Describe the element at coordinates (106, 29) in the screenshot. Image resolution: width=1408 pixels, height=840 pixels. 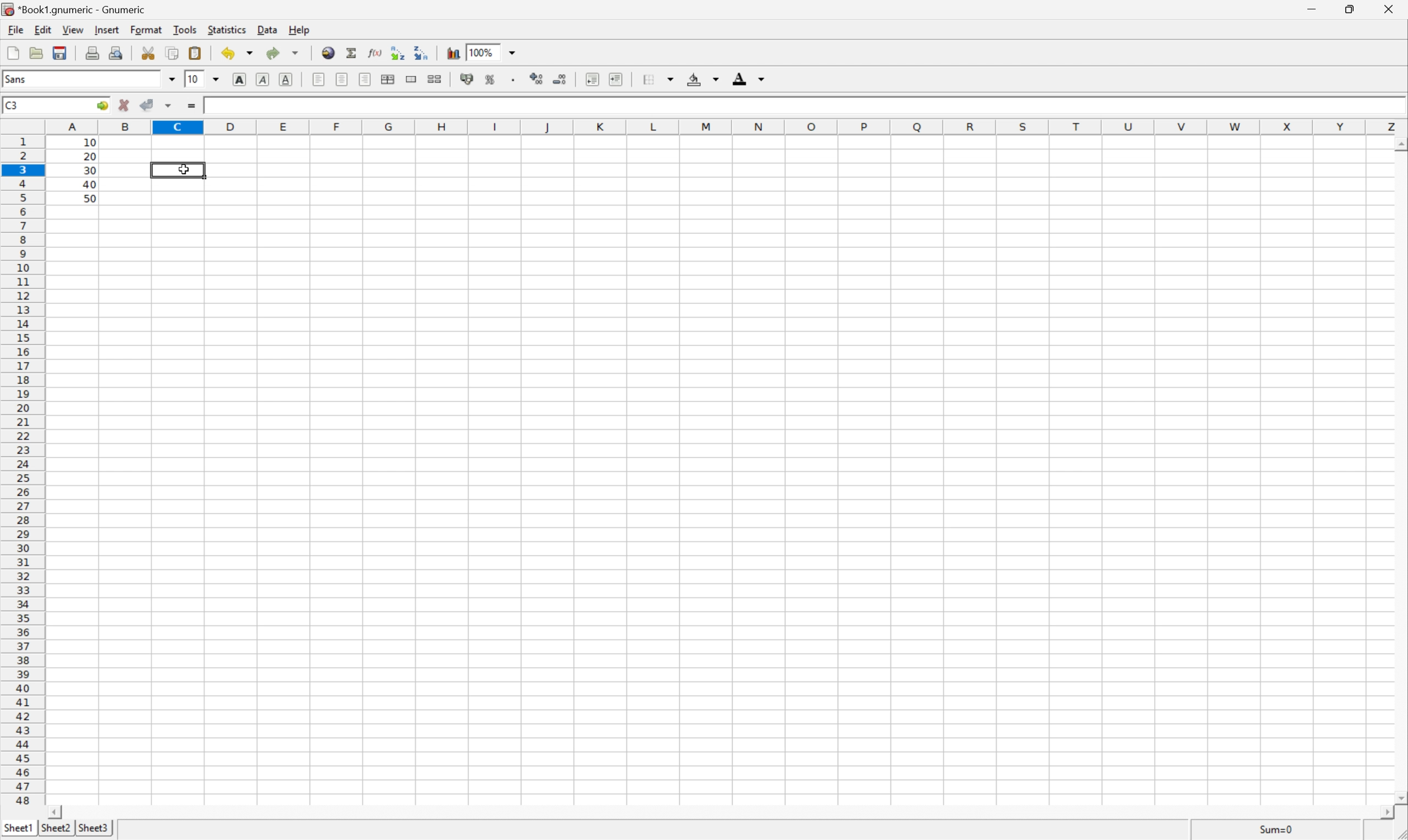
I see `Insert` at that location.